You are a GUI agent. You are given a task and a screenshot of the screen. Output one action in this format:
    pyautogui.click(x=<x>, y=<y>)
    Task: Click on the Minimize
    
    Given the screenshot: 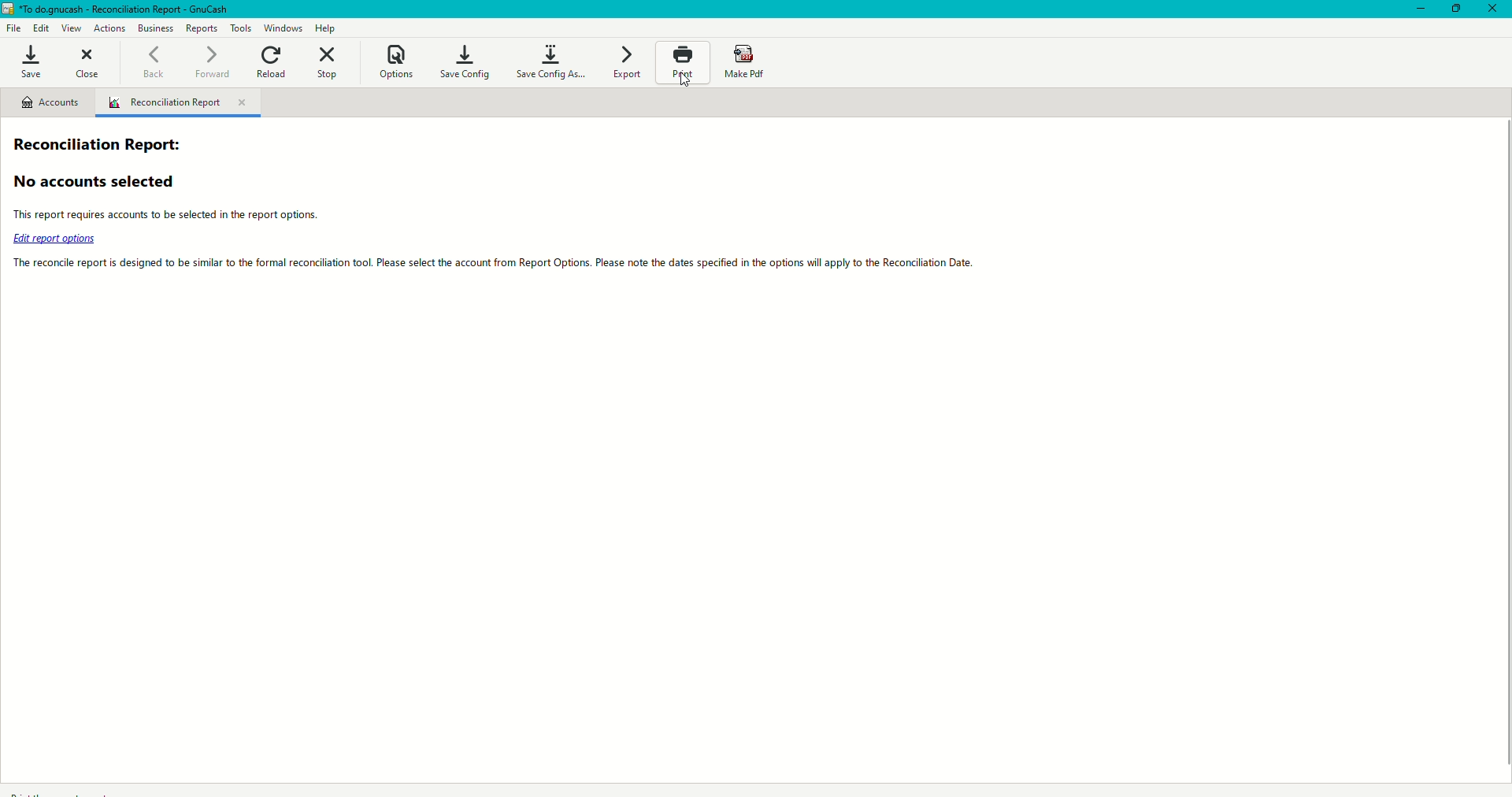 What is the action you would take?
    pyautogui.click(x=1413, y=10)
    